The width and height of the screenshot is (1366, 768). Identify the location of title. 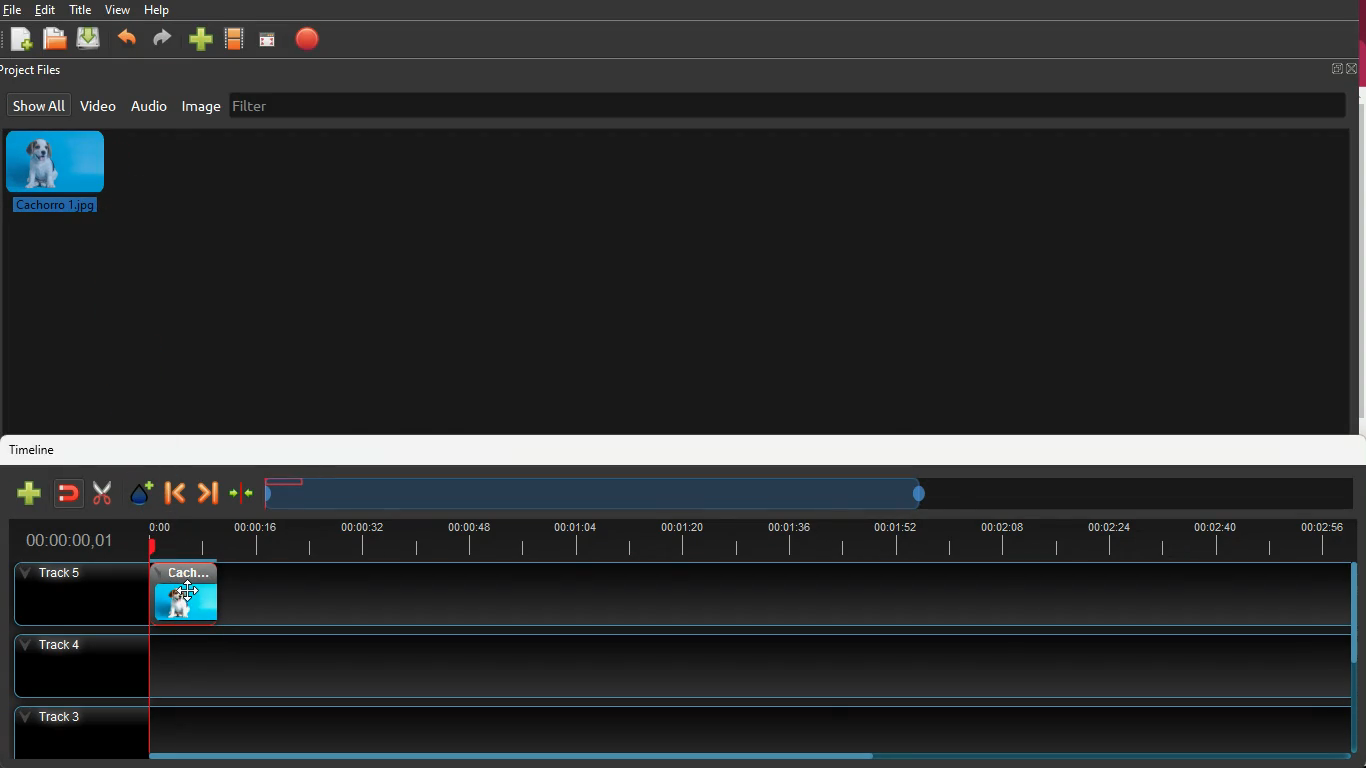
(81, 9).